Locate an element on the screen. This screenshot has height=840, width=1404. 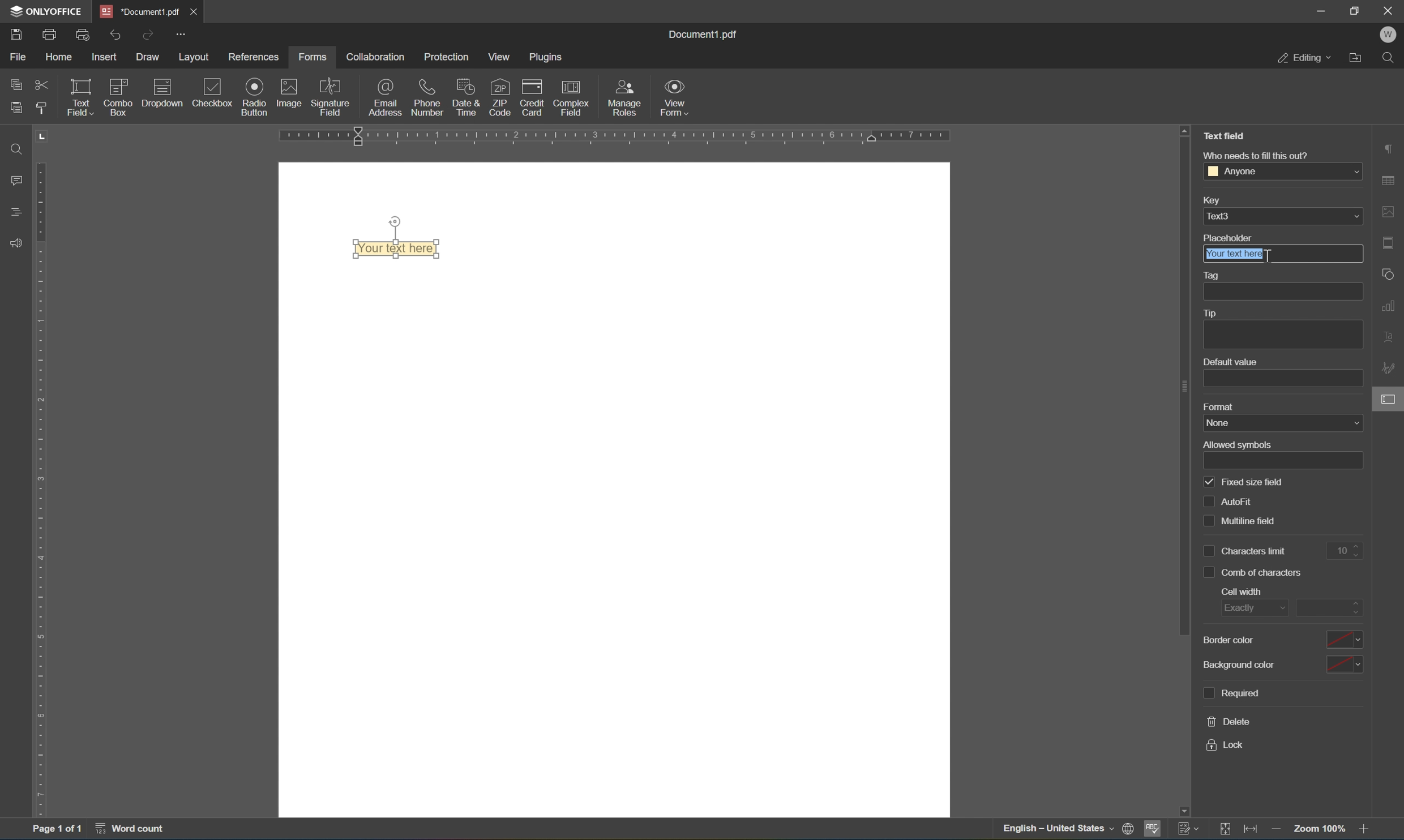
document1 is located at coordinates (143, 11).